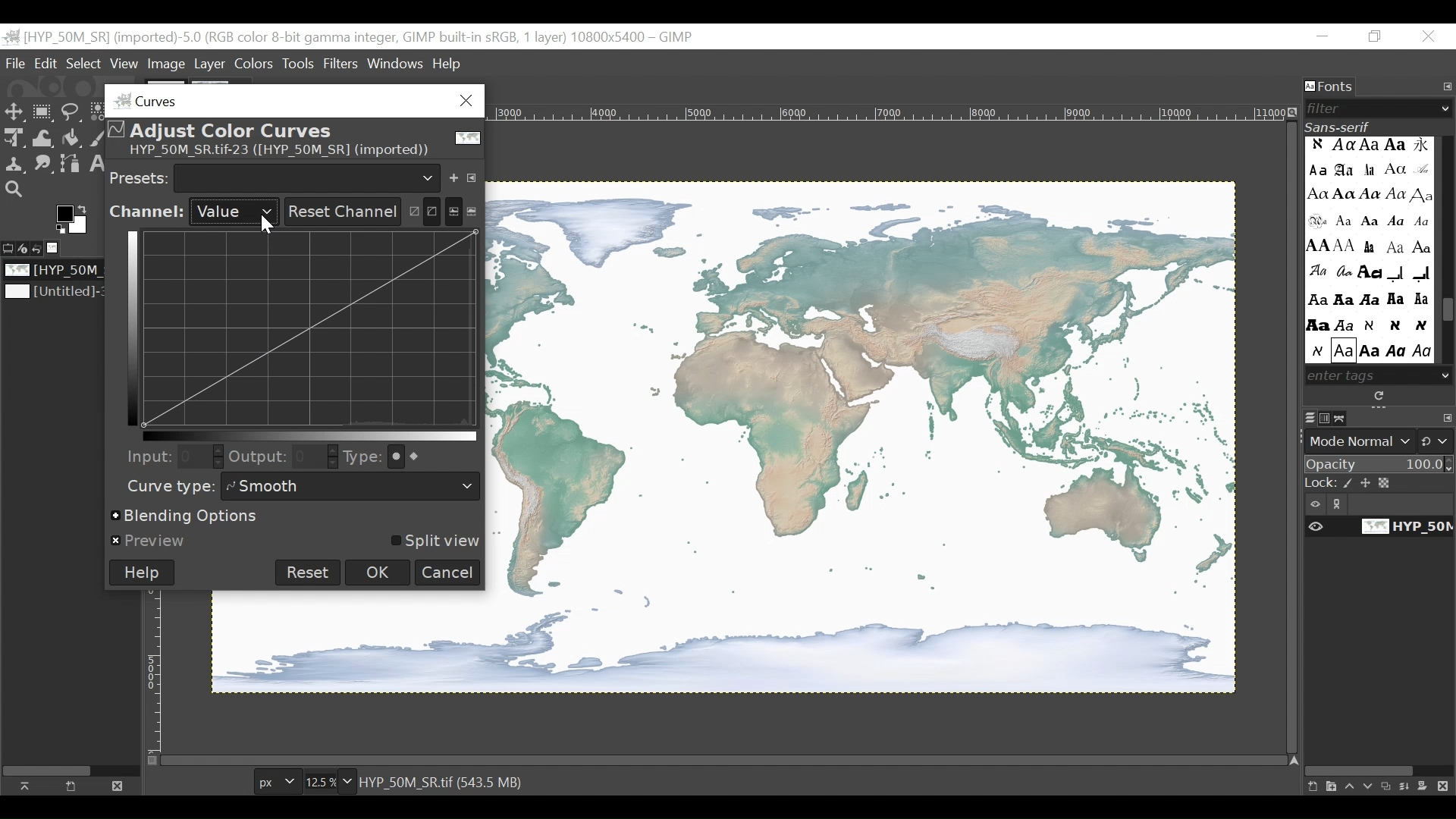 This screenshot has width=1456, height=819. Describe the element at coordinates (325, 782) in the screenshot. I see `Zoom Factor` at that location.